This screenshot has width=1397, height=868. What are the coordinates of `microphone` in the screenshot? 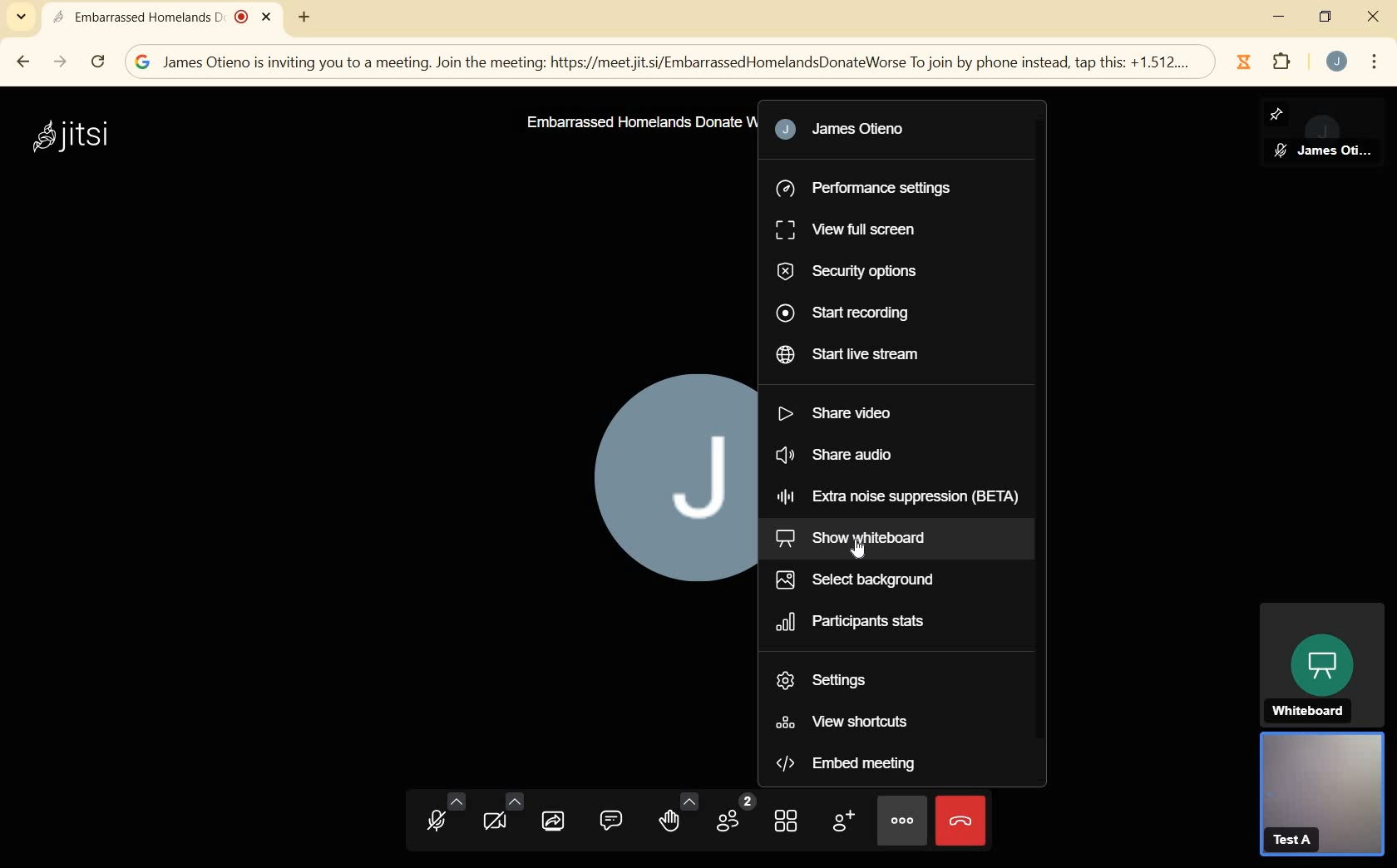 It's located at (442, 815).